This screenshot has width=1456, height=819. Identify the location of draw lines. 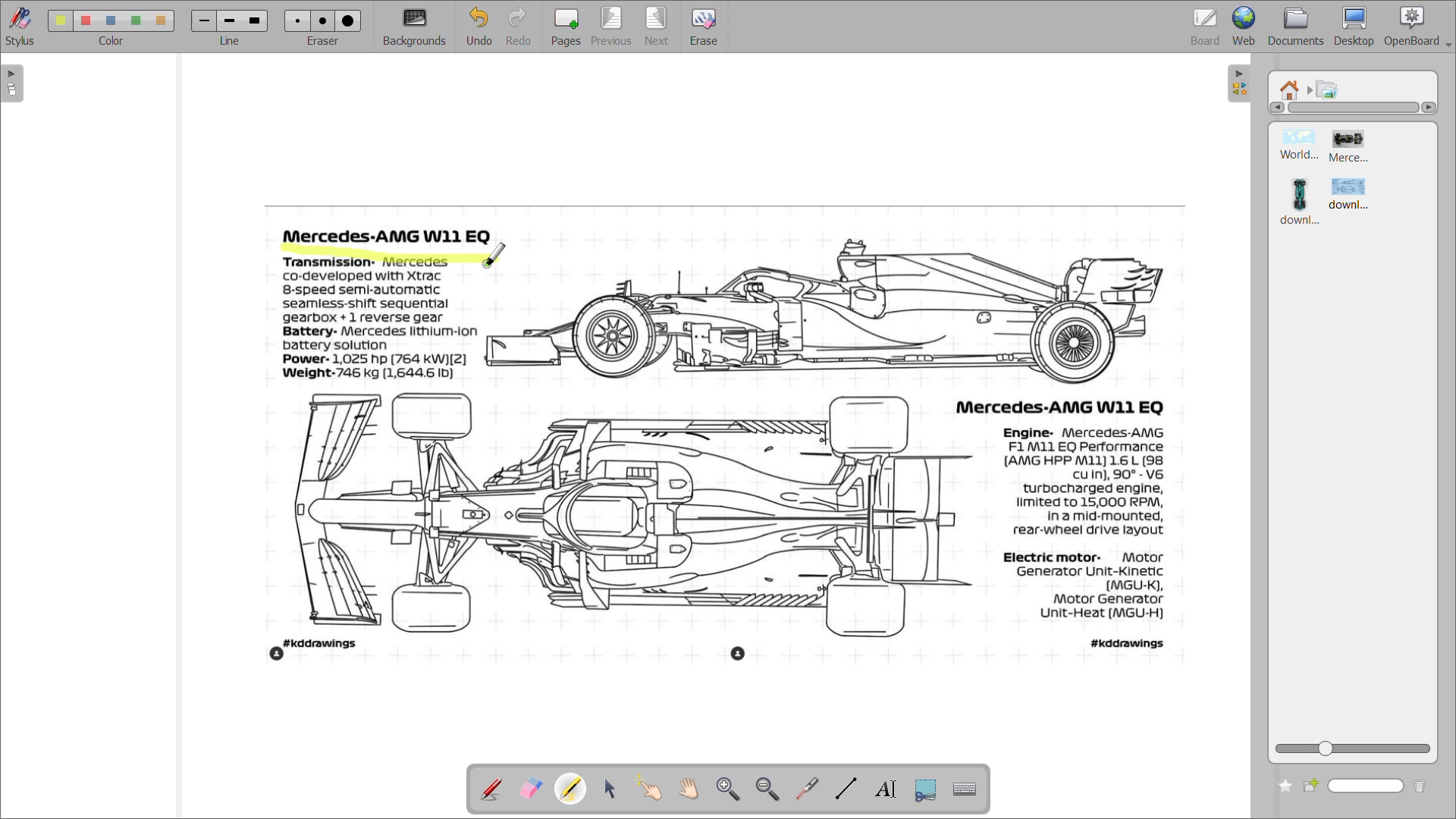
(849, 787).